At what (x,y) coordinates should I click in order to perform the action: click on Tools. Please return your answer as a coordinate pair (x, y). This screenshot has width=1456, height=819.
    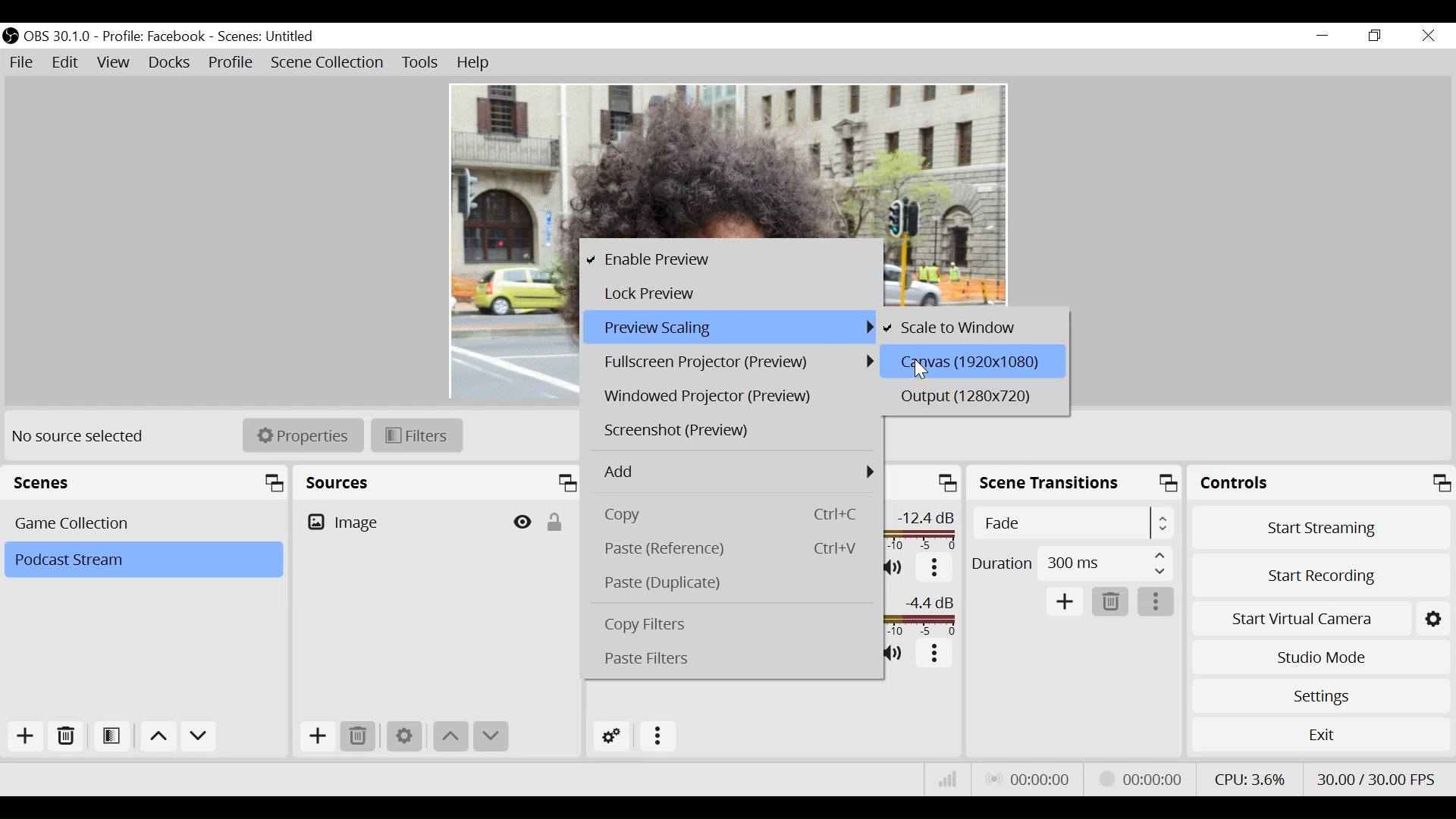
    Looking at the image, I should click on (418, 64).